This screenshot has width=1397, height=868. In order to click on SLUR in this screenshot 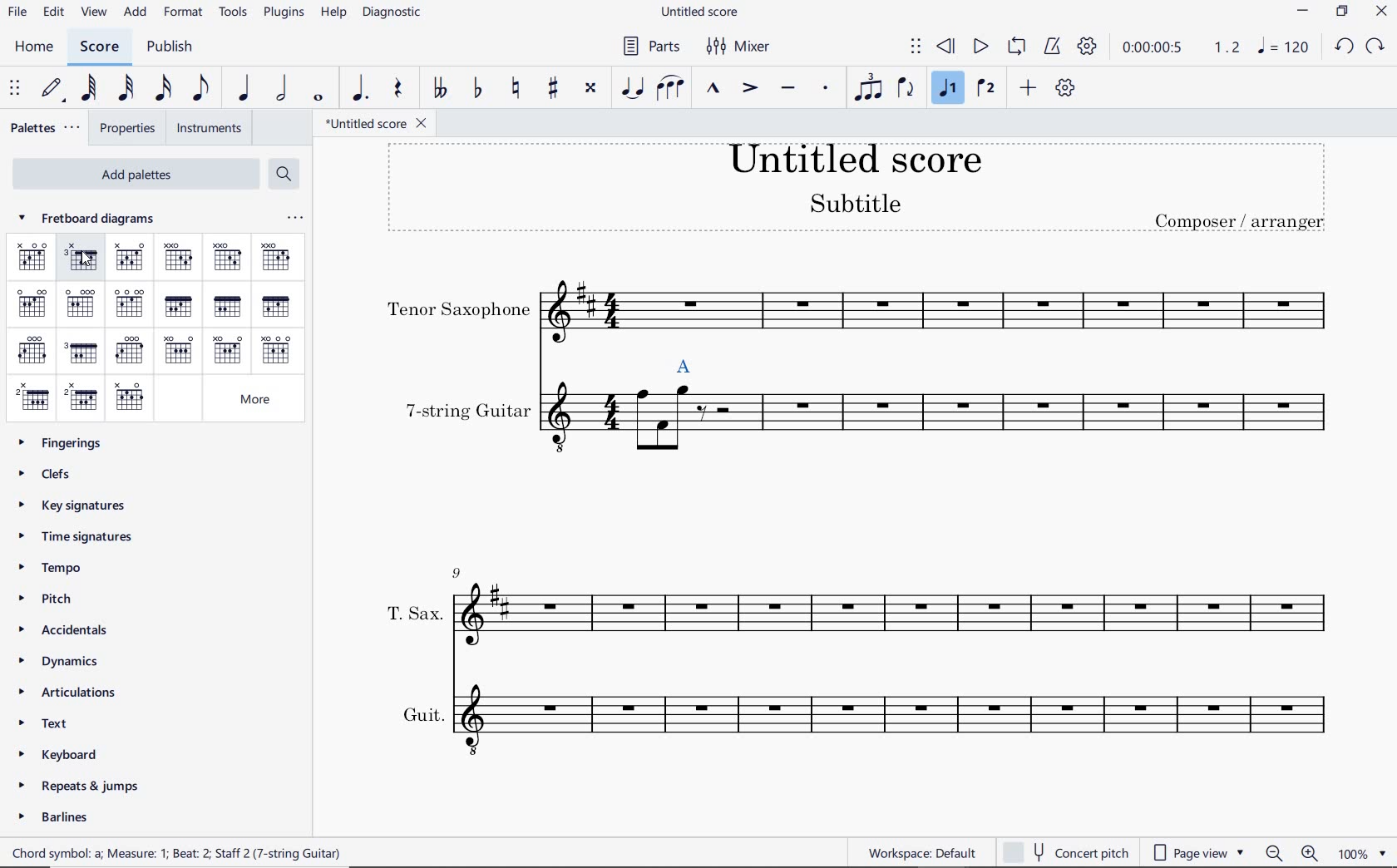, I will do `click(671, 86)`.